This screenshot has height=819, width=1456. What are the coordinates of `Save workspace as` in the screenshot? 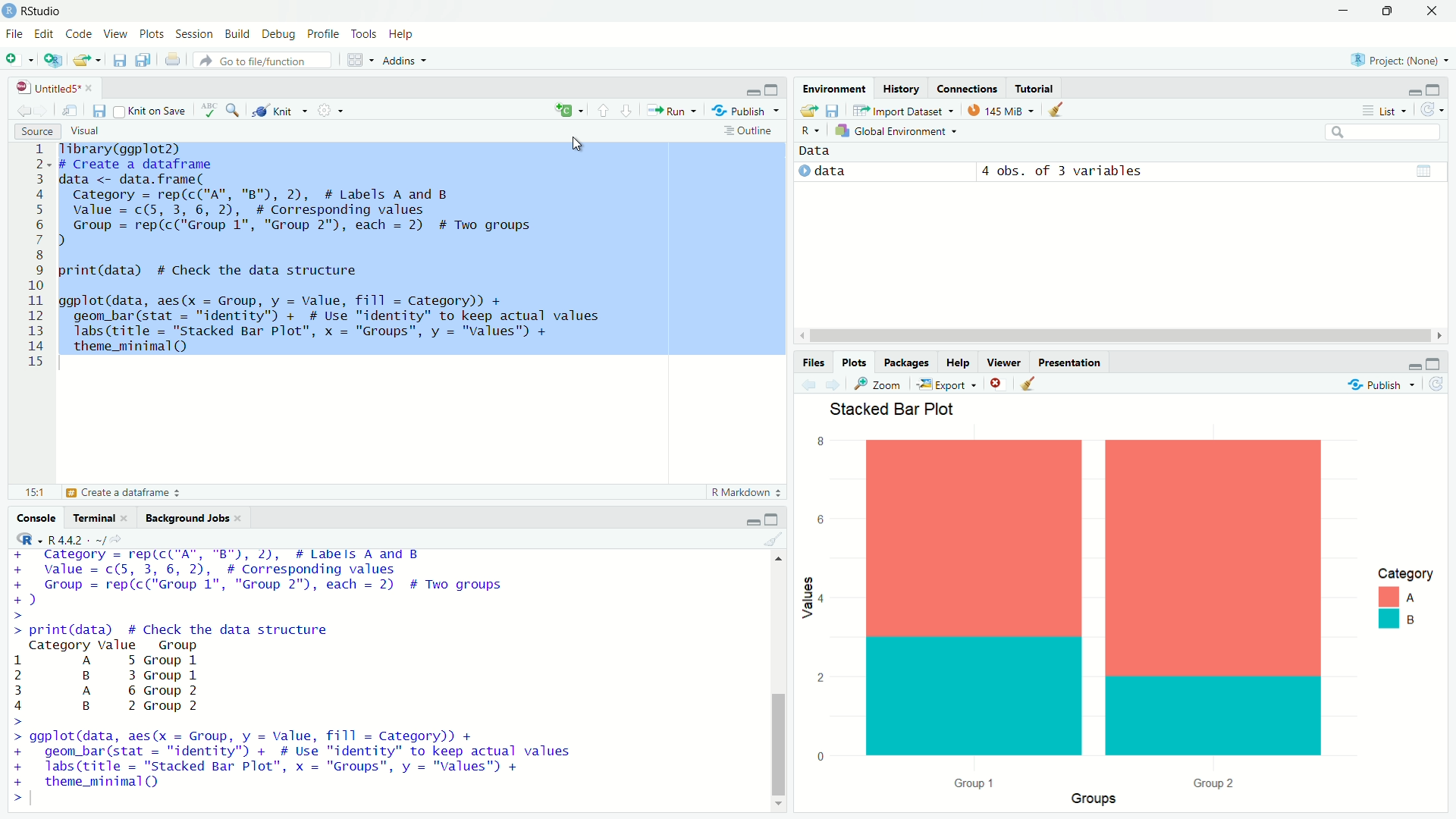 It's located at (834, 111).